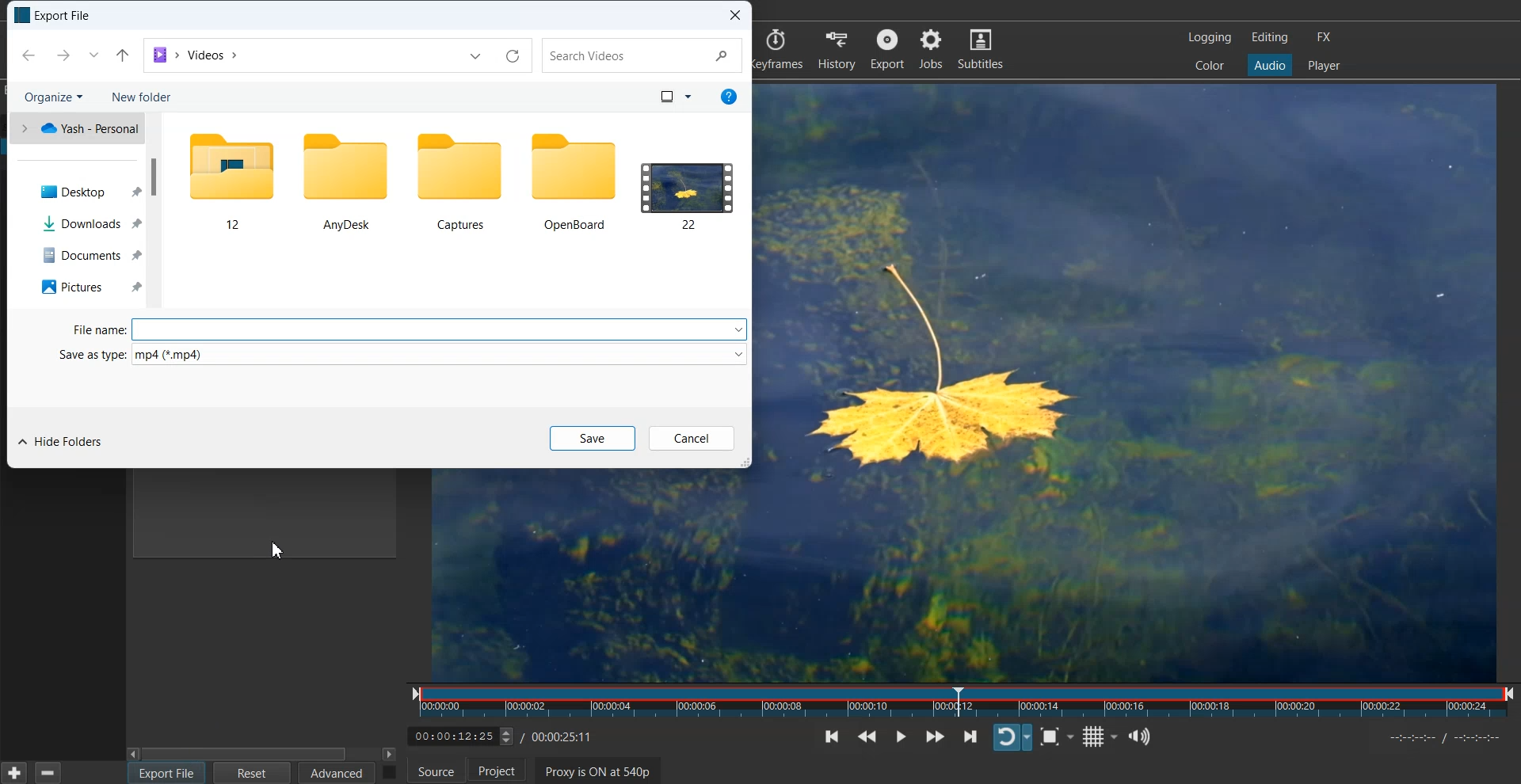 The height and width of the screenshot is (784, 1521). Describe the element at coordinates (97, 54) in the screenshot. I see `dropdown` at that location.